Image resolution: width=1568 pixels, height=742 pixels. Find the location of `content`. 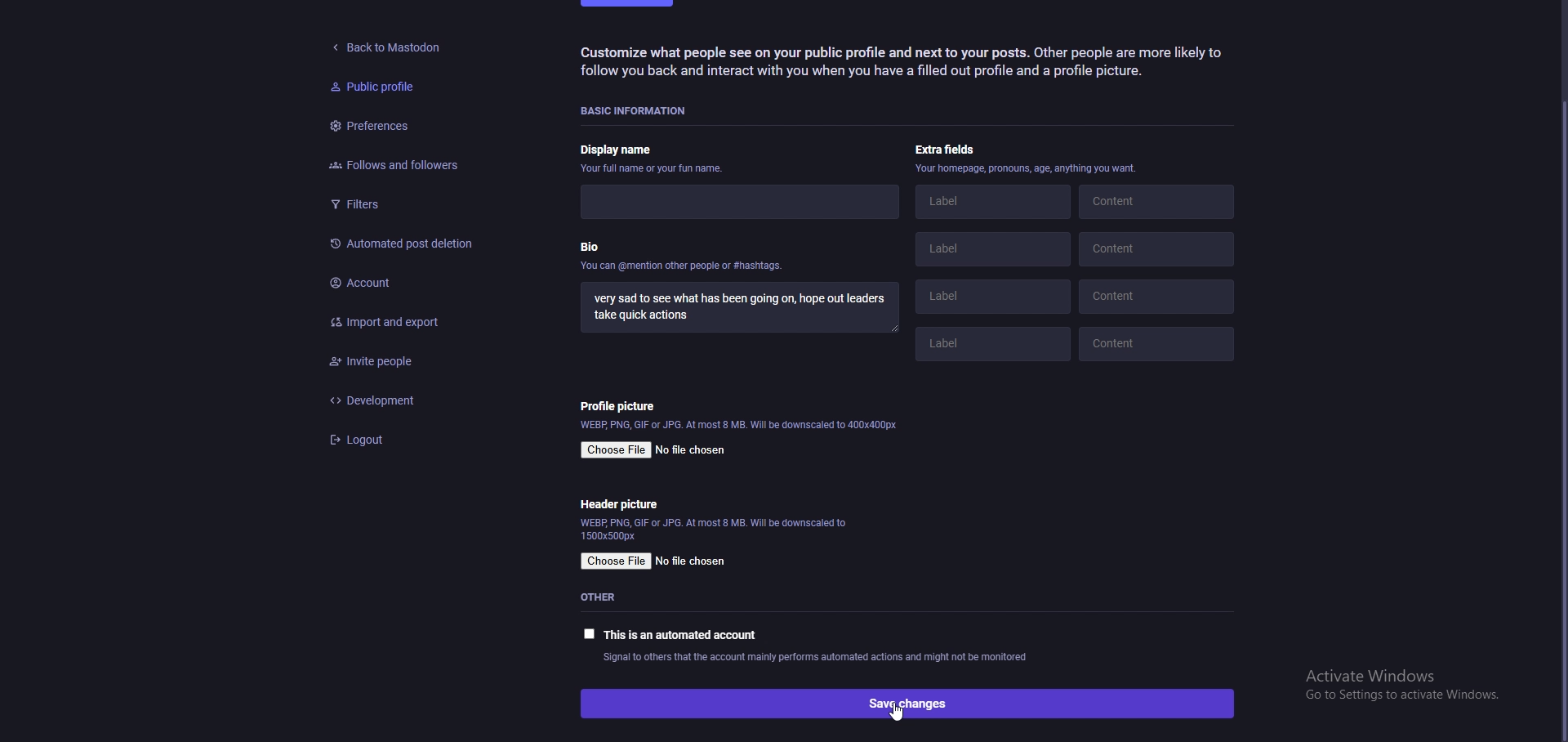

content is located at coordinates (1159, 340).